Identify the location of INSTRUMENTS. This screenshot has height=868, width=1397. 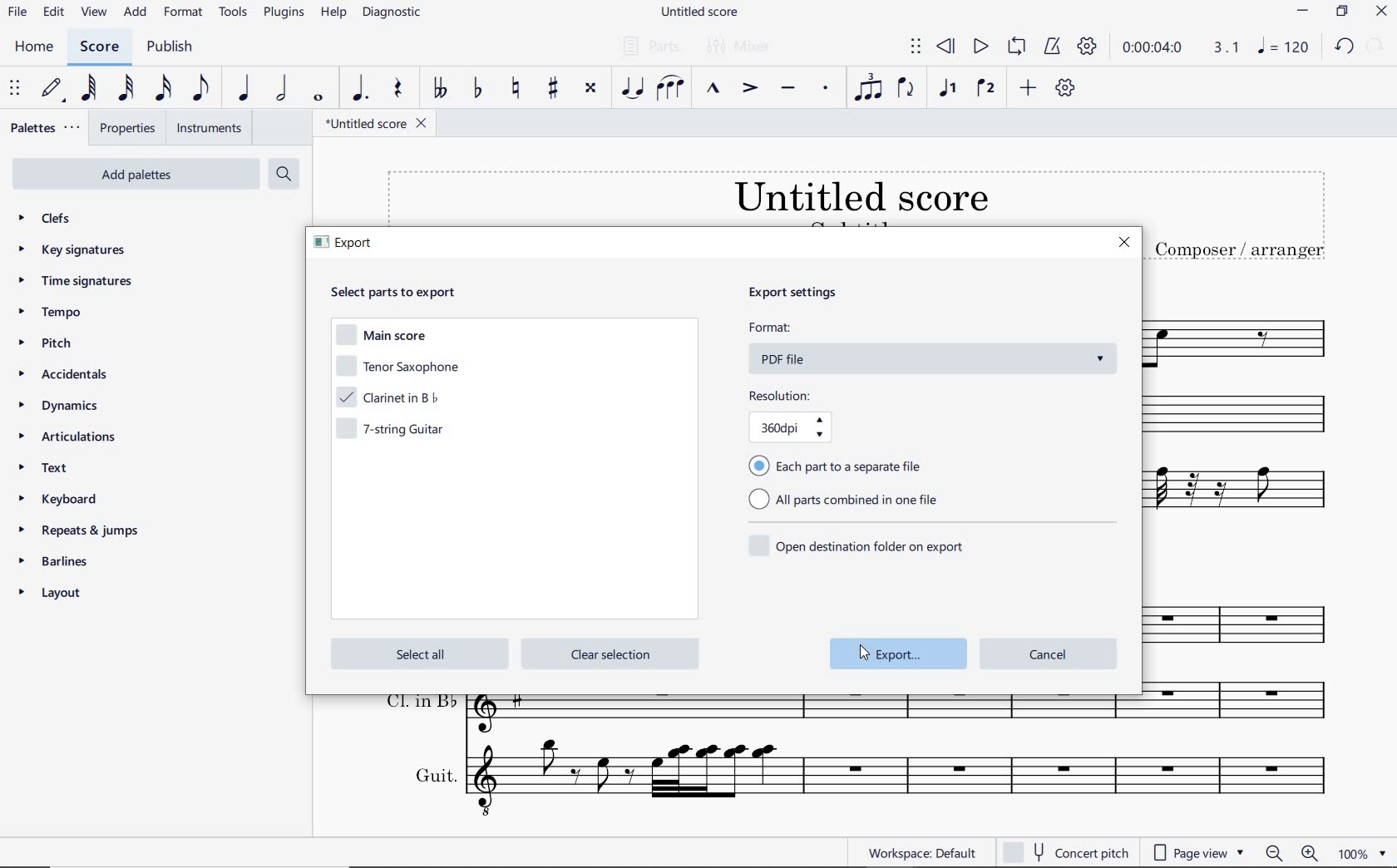
(208, 129).